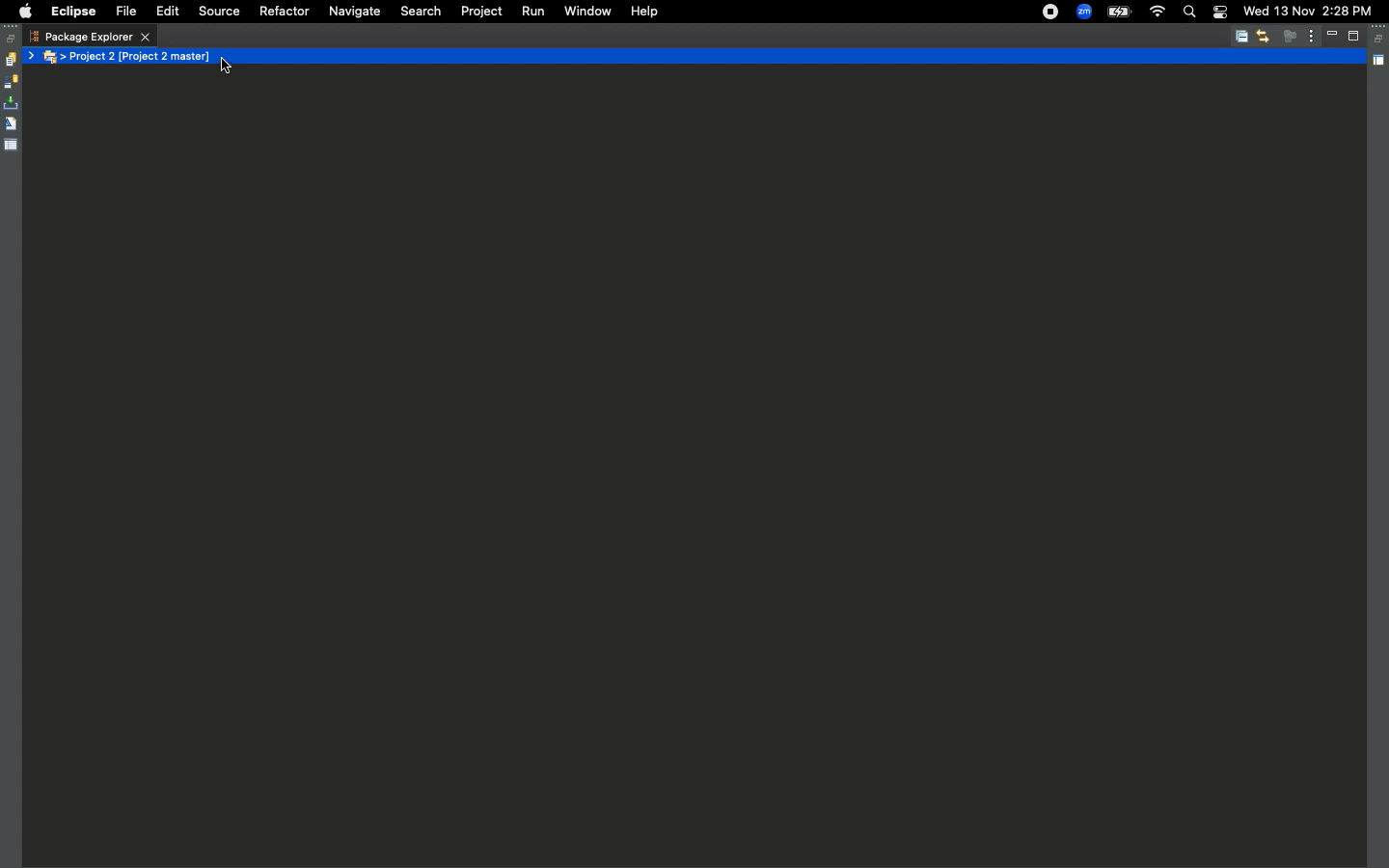  I want to click on Shared area, so click(1380, 64).